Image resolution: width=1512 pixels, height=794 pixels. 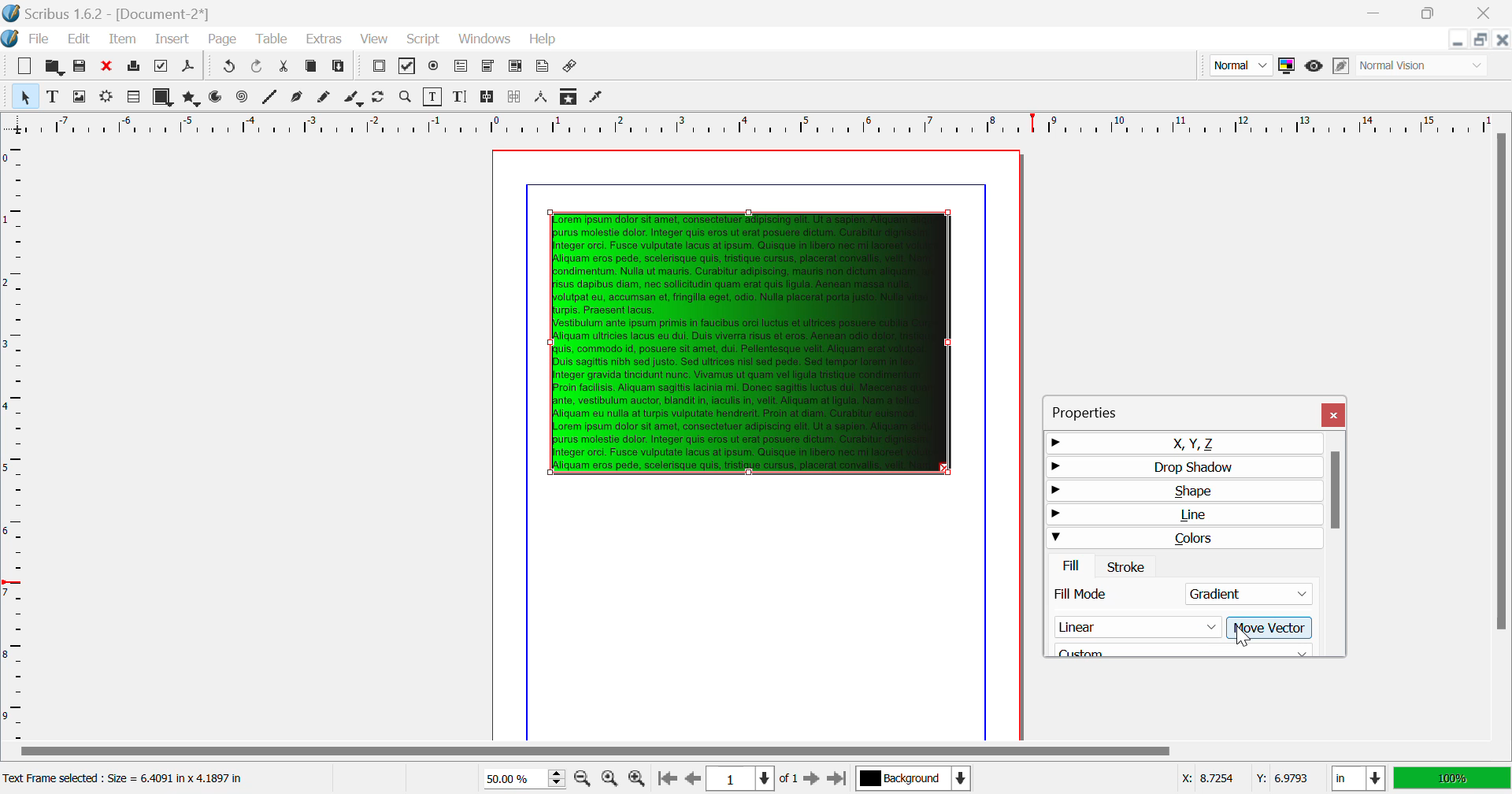 I want to click on Link Annotation, so click(x=572, y=68).